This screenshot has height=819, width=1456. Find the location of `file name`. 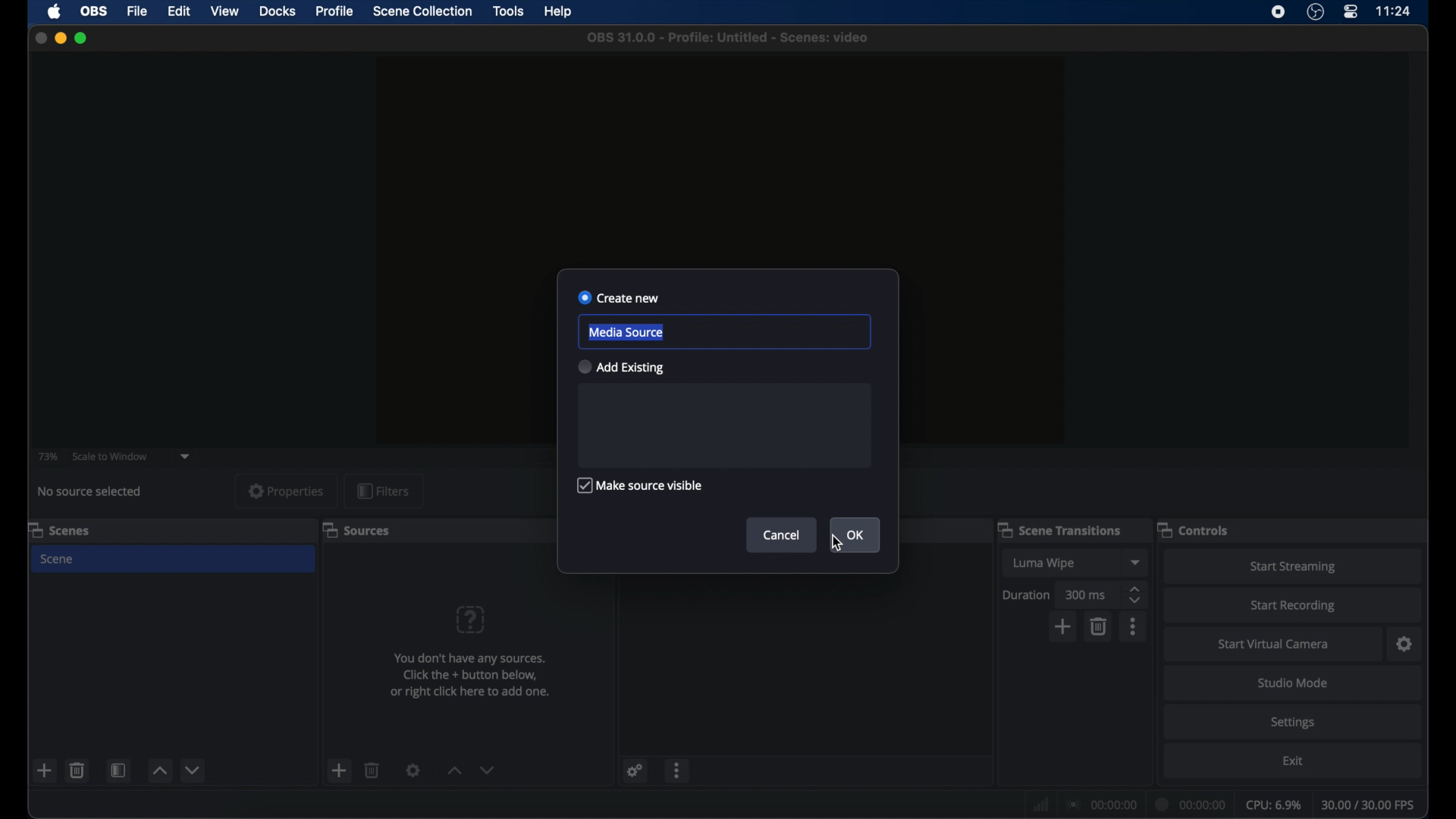

file name is located at coordinates (727, 38).